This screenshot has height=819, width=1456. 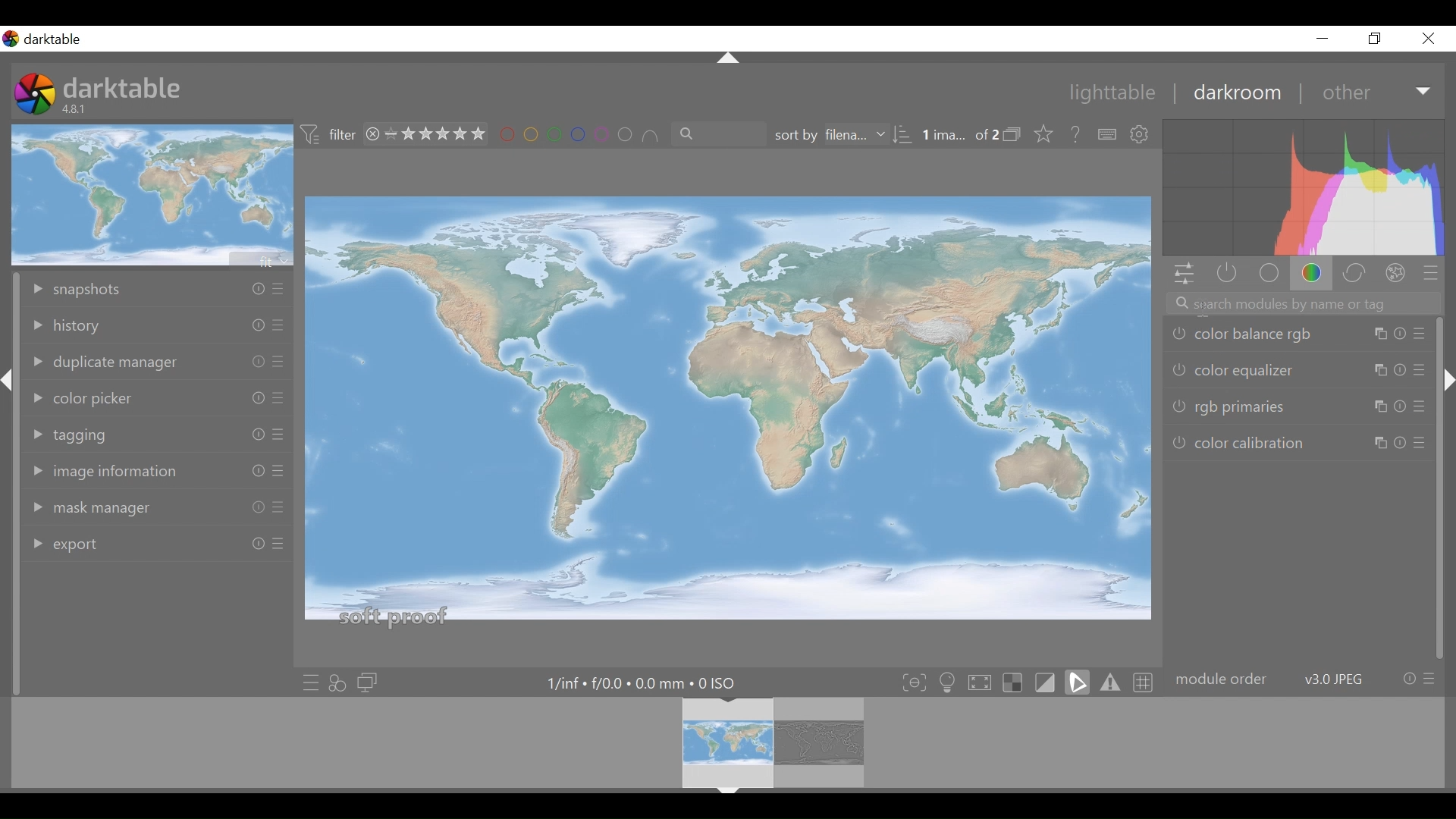 What do you see at coordinates (1396, 274) in the screenshot?
I see `effect` at bounding box center [1396, 274].